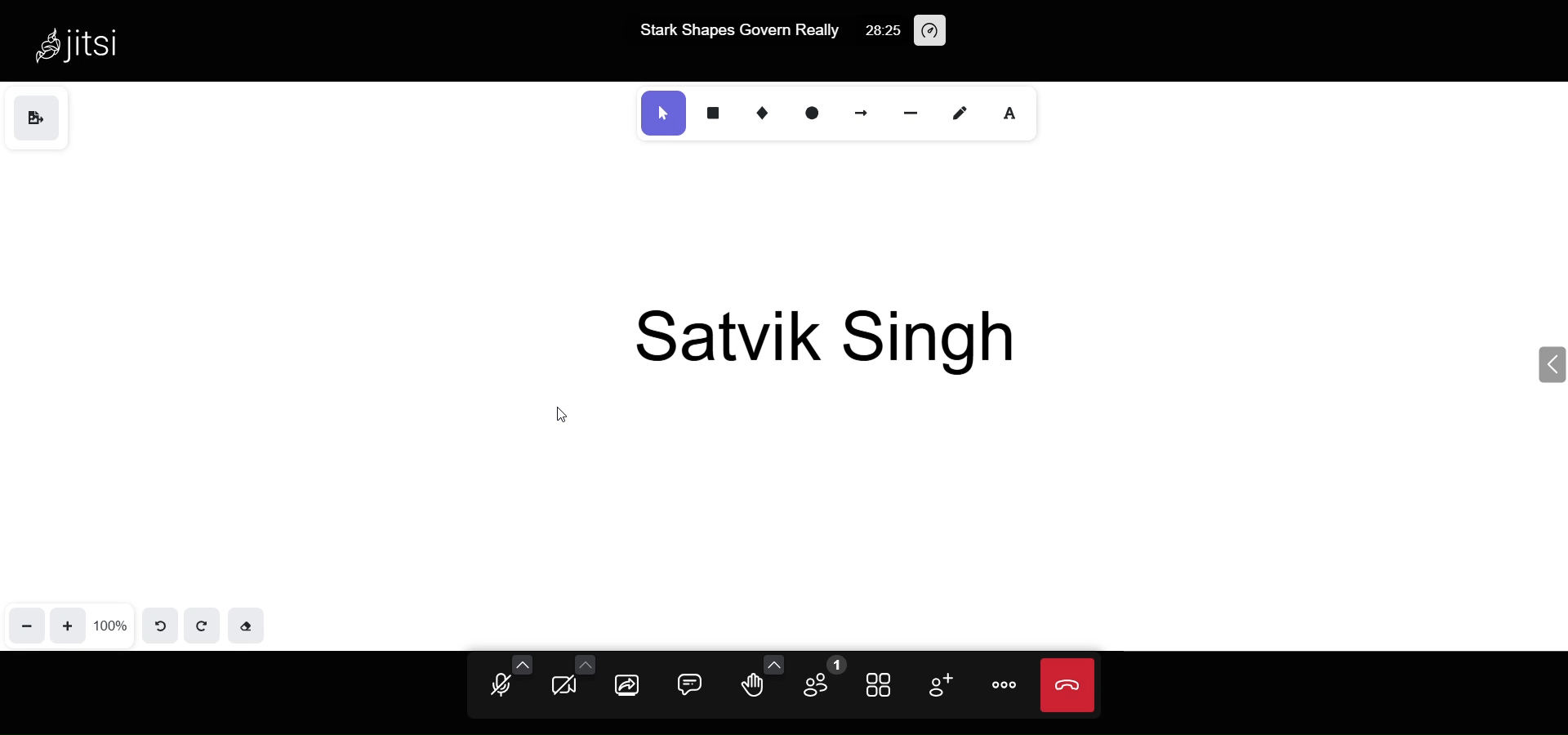 The width and height of the screenshot is (1568, 735). I want to click on 100%, so click(111, 625).